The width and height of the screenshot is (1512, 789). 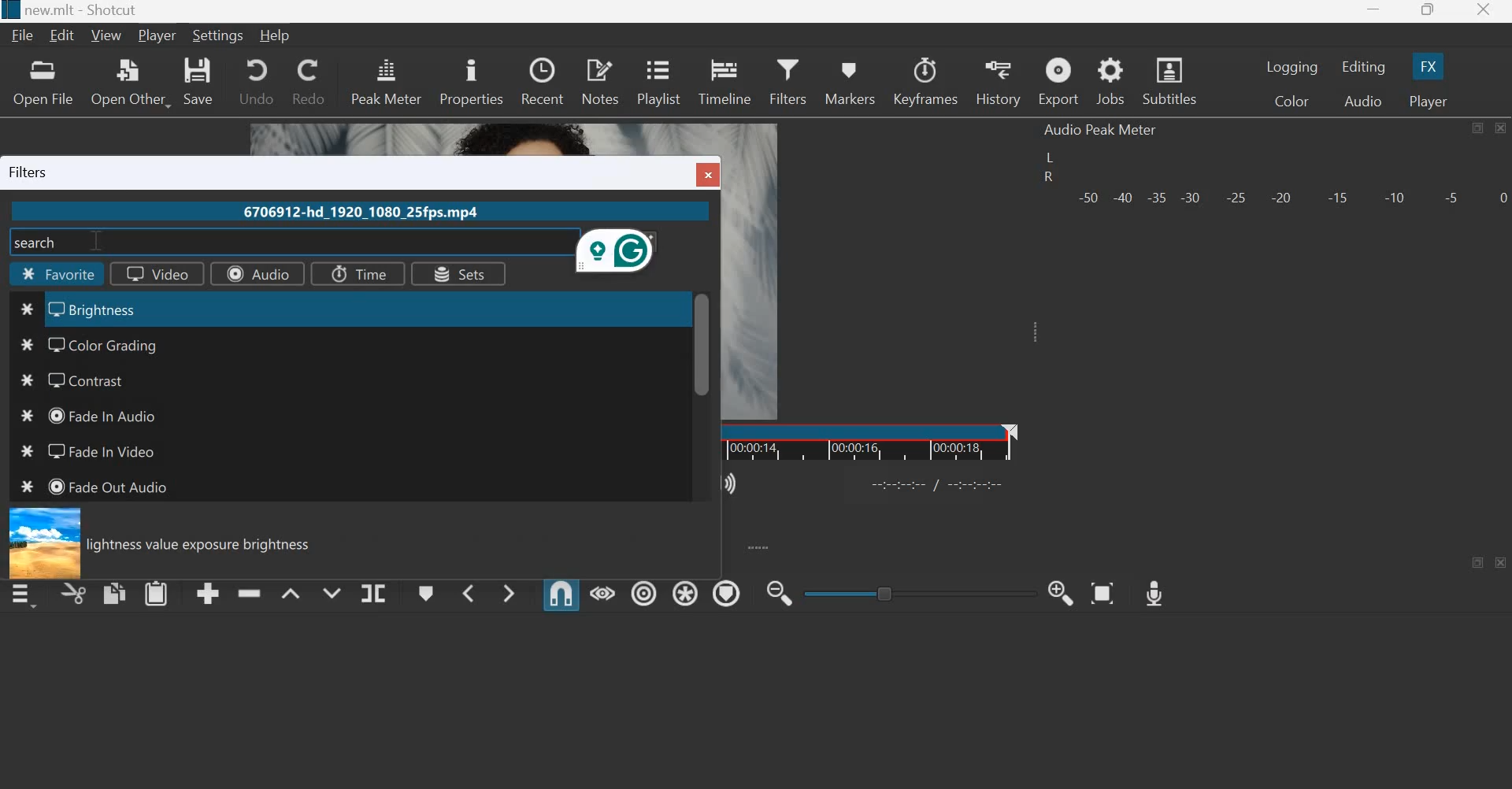 What do you see at coordinates (118, 343) in the screenshot?
I see `color grading` at bounding box center [118, 343].